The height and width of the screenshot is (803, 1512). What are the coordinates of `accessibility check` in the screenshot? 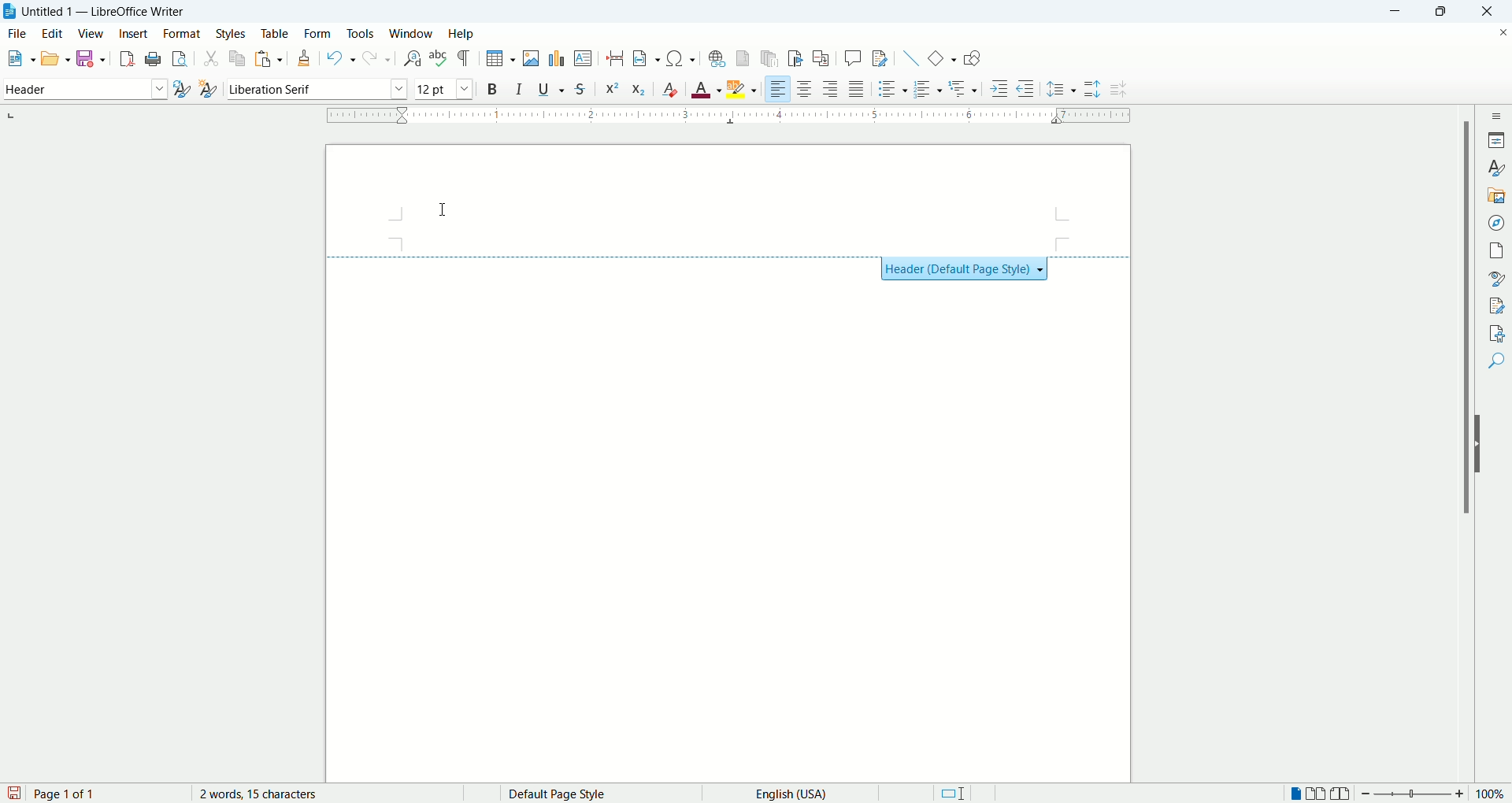 It's located at (1496, 334).